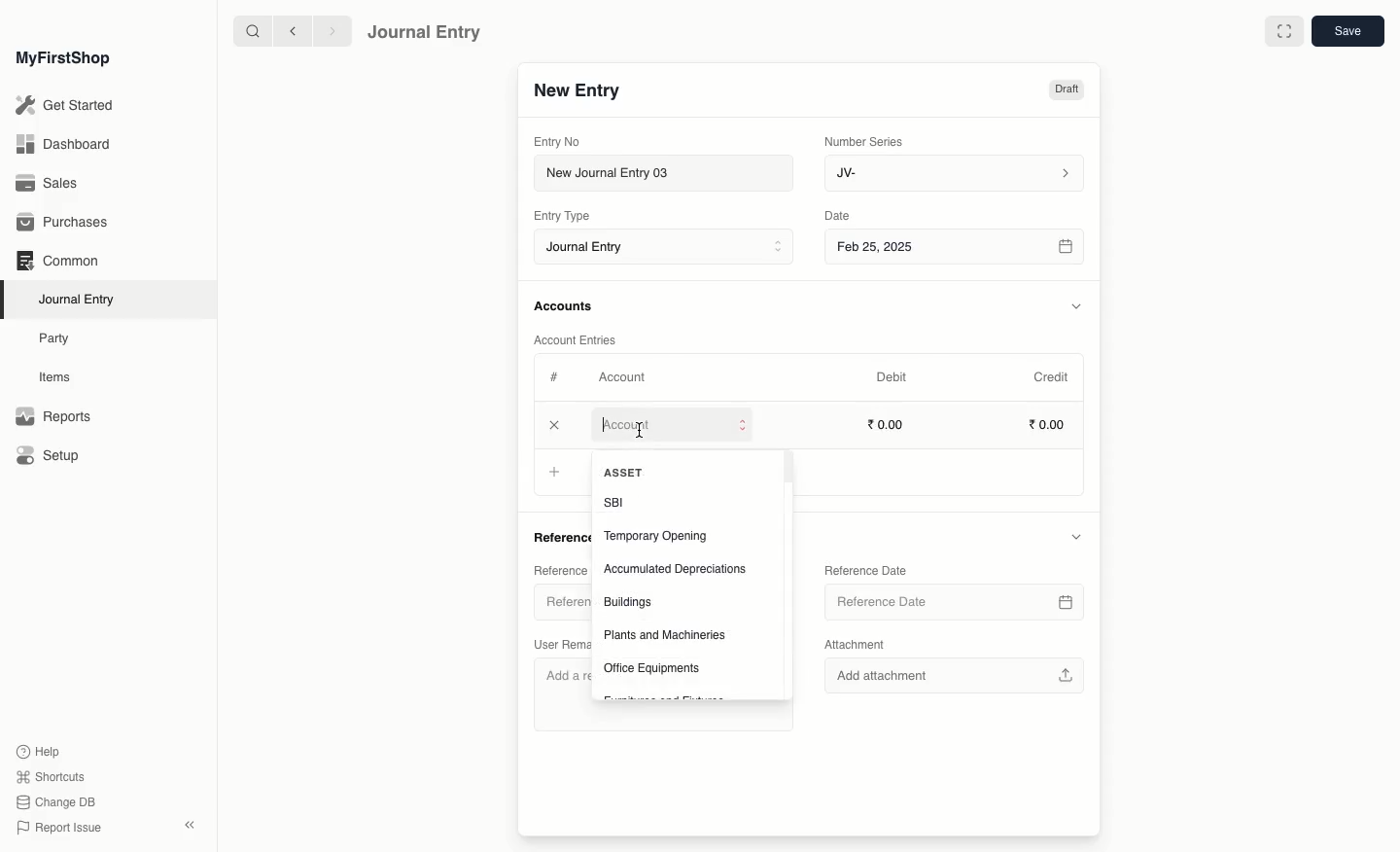 The height and width of the screenshot is (852, 1400). What do you see at coordinates (288, 31) in the screenshot?
I see `backward <` at bounding box center [288, 31].